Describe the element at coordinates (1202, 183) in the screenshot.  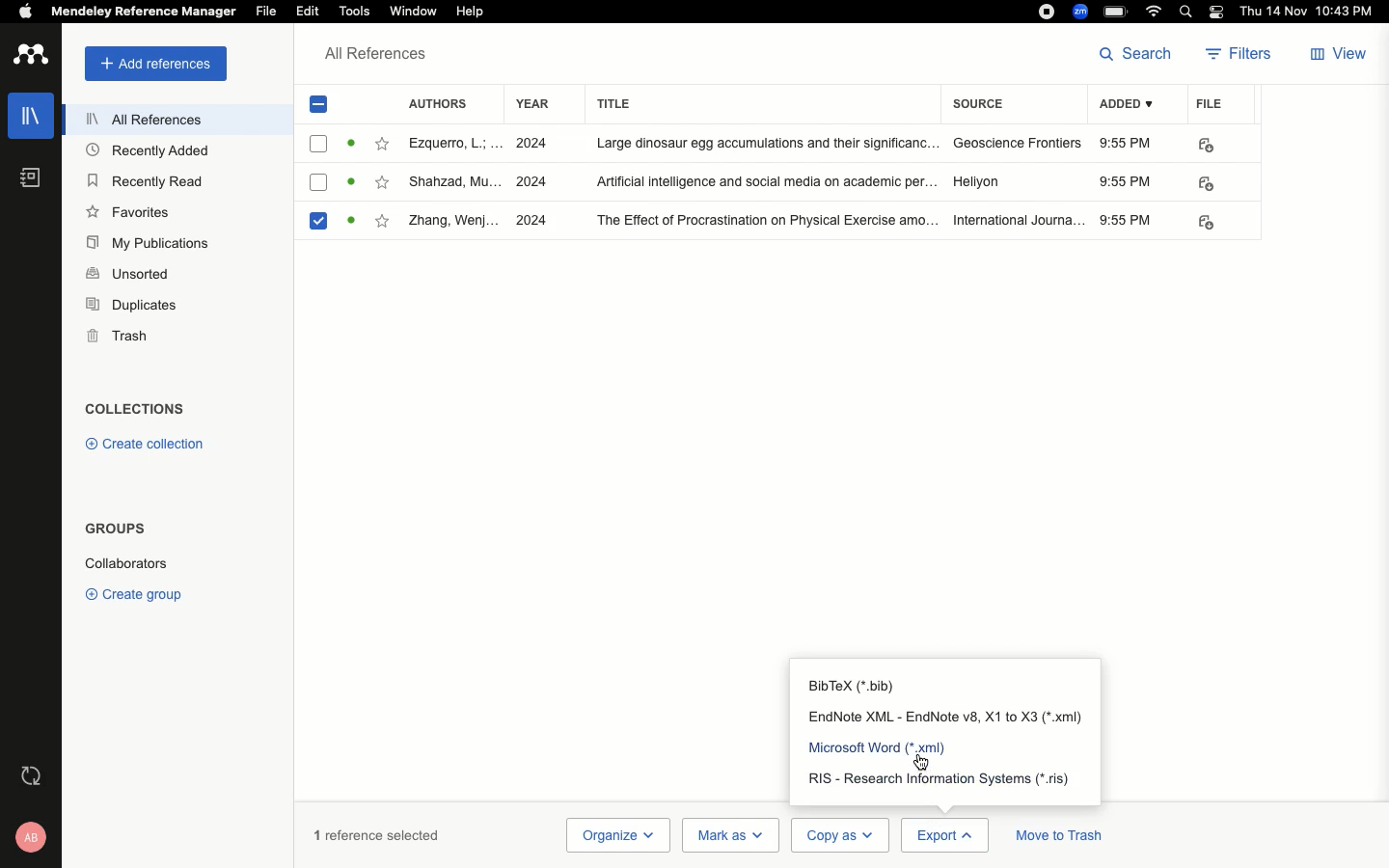
I see `FILE` at that location.